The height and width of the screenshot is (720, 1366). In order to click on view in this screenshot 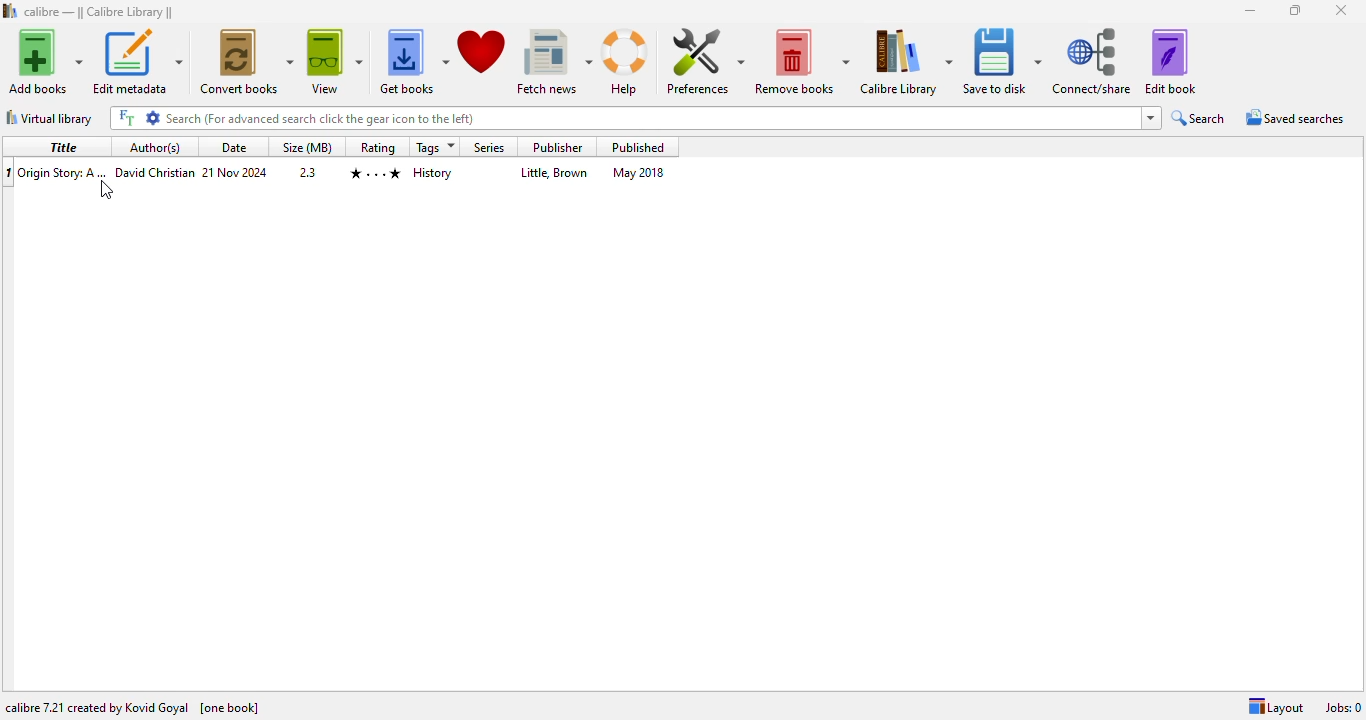, I will do `click(335, 62)`.